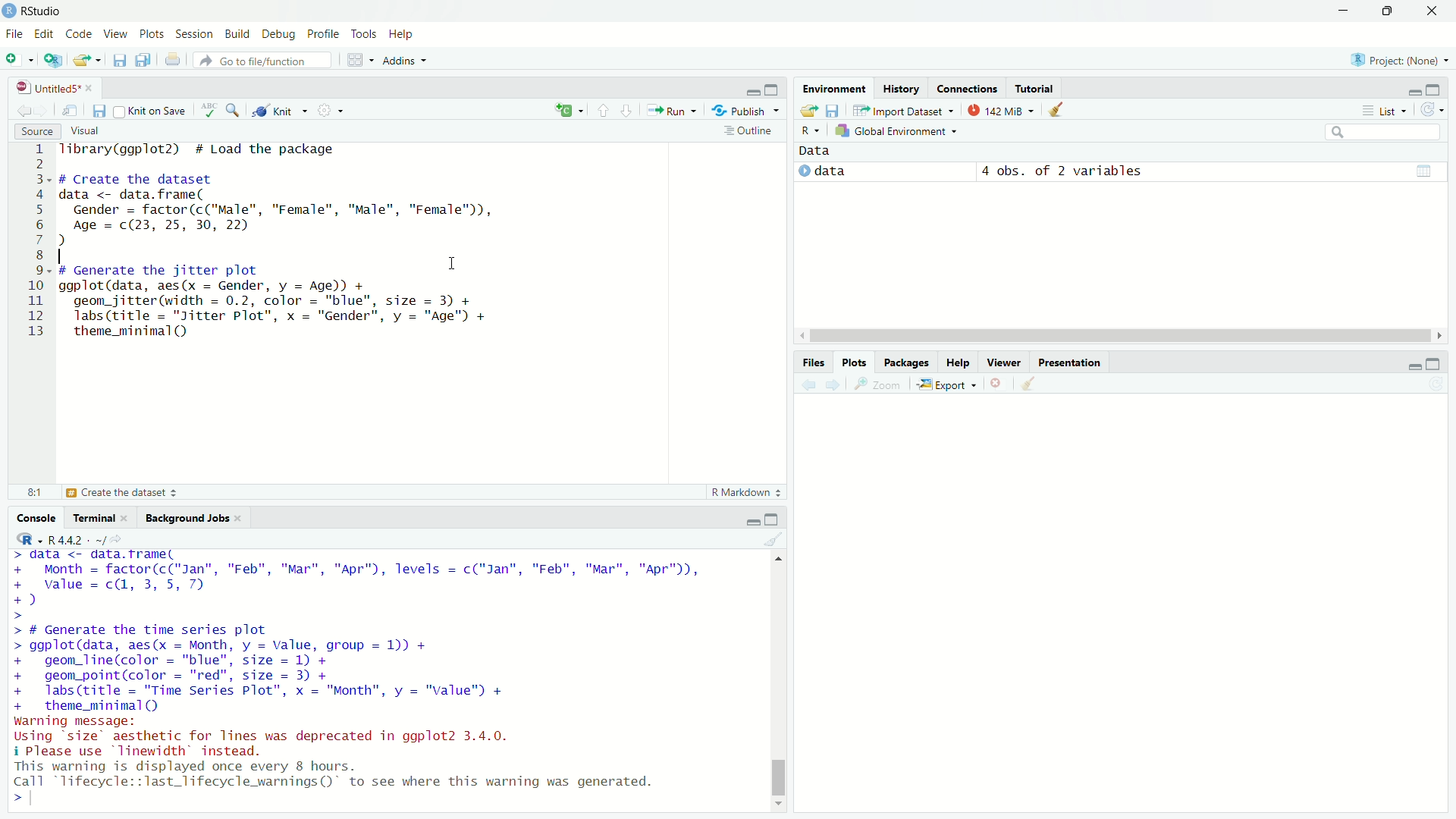 The height and width of the screenshot is (819, 1456). What do you see at coordinates (826, 149) in the screenshot?
I see `data` at bounding box center [826, 149].